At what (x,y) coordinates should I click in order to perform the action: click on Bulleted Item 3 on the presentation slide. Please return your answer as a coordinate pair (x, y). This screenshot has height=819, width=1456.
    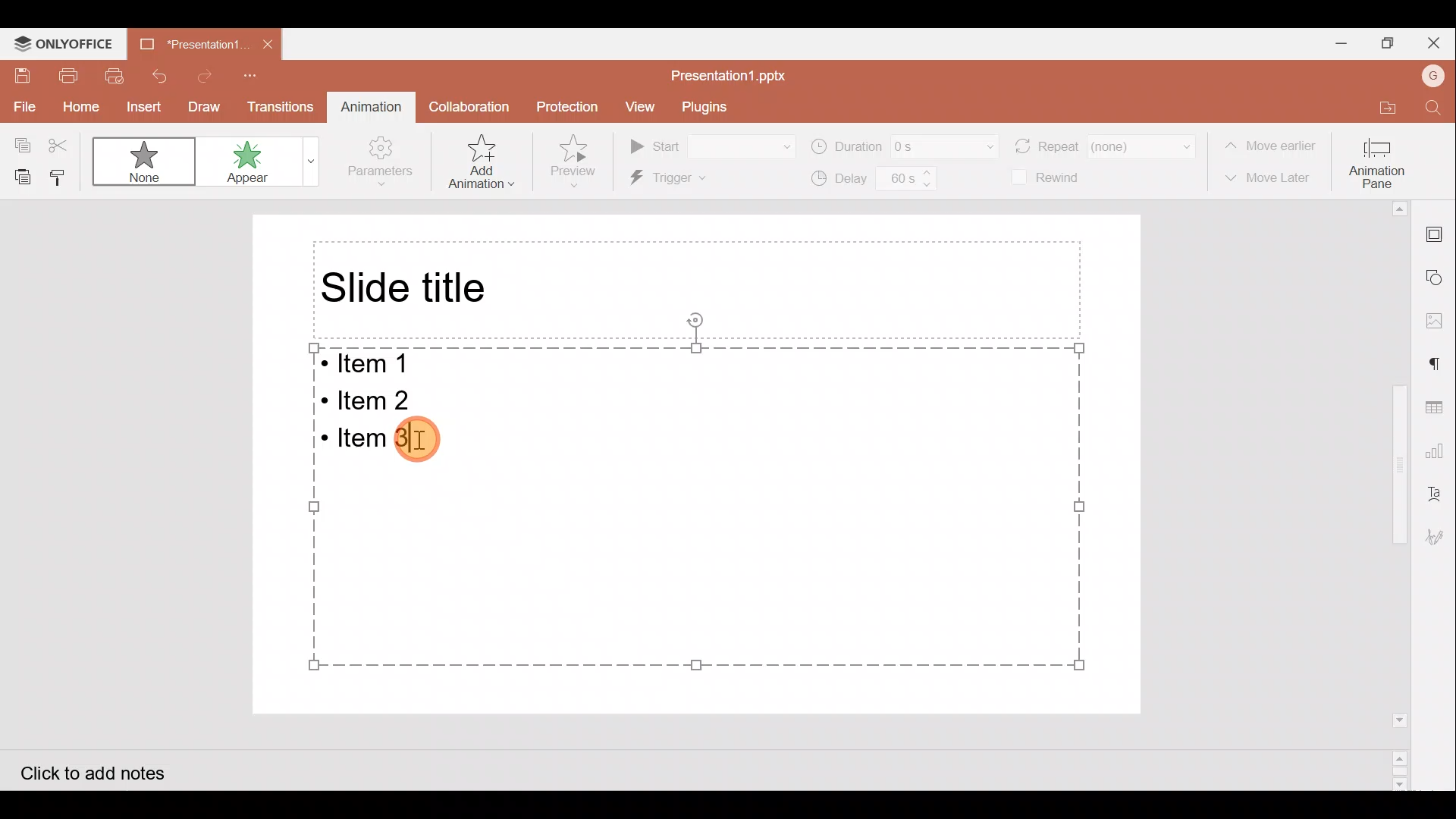
    Looking at the image, I should click on (378, 441).